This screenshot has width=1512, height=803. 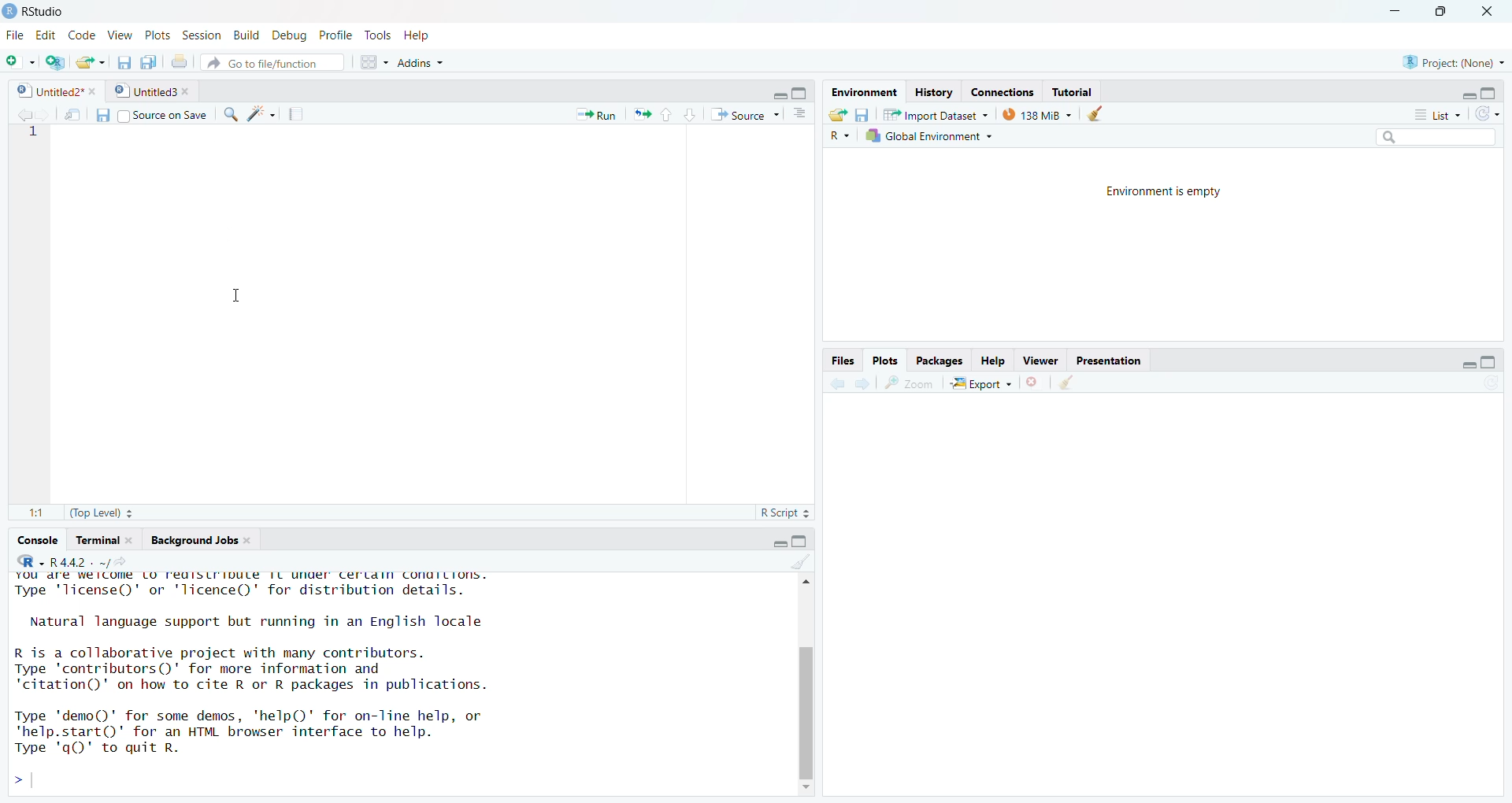 I want to click on close, so click(x=1489, y=13).